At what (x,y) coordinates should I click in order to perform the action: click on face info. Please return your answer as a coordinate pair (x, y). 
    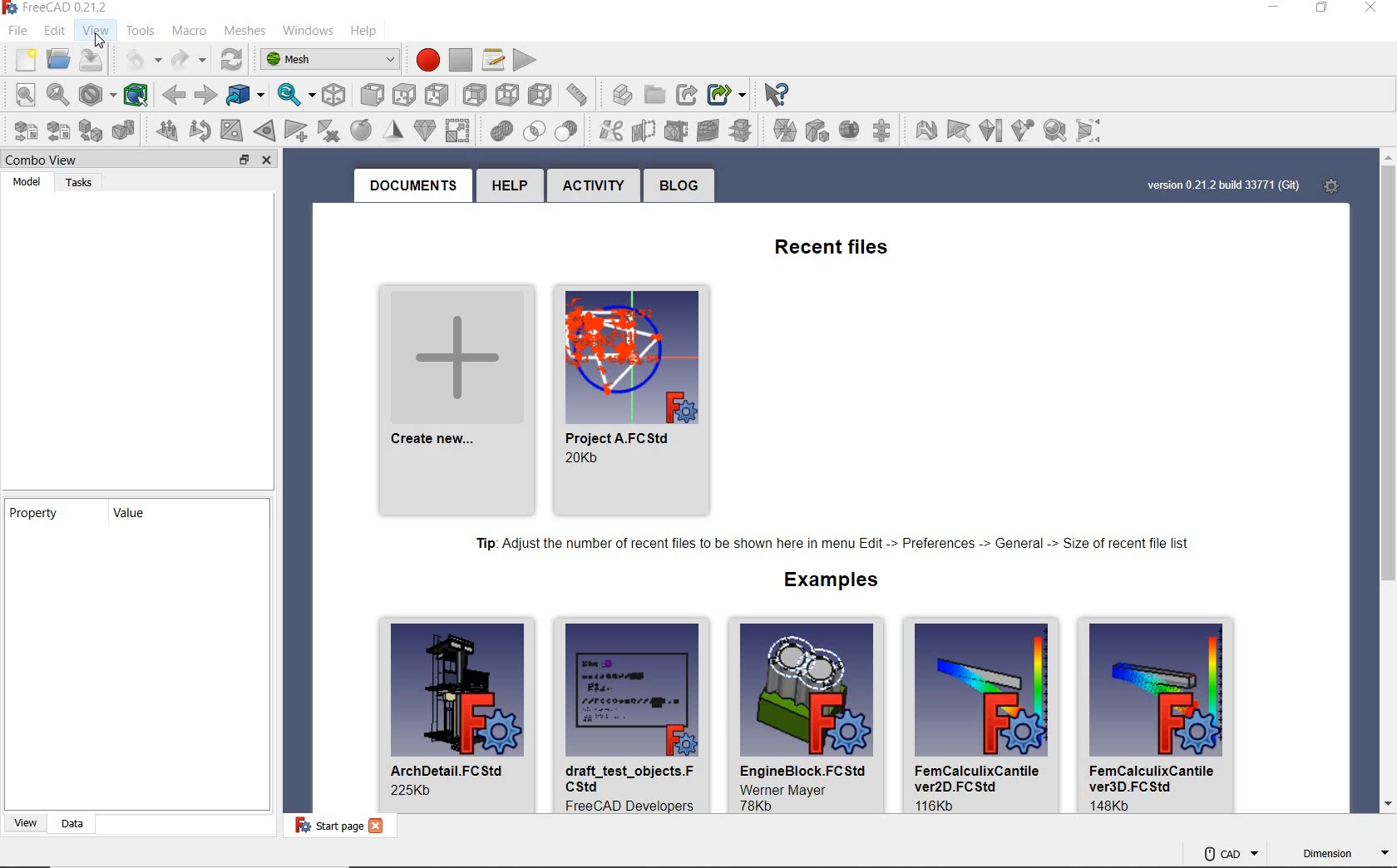
    Looking at the image, I should click on (956, 129).